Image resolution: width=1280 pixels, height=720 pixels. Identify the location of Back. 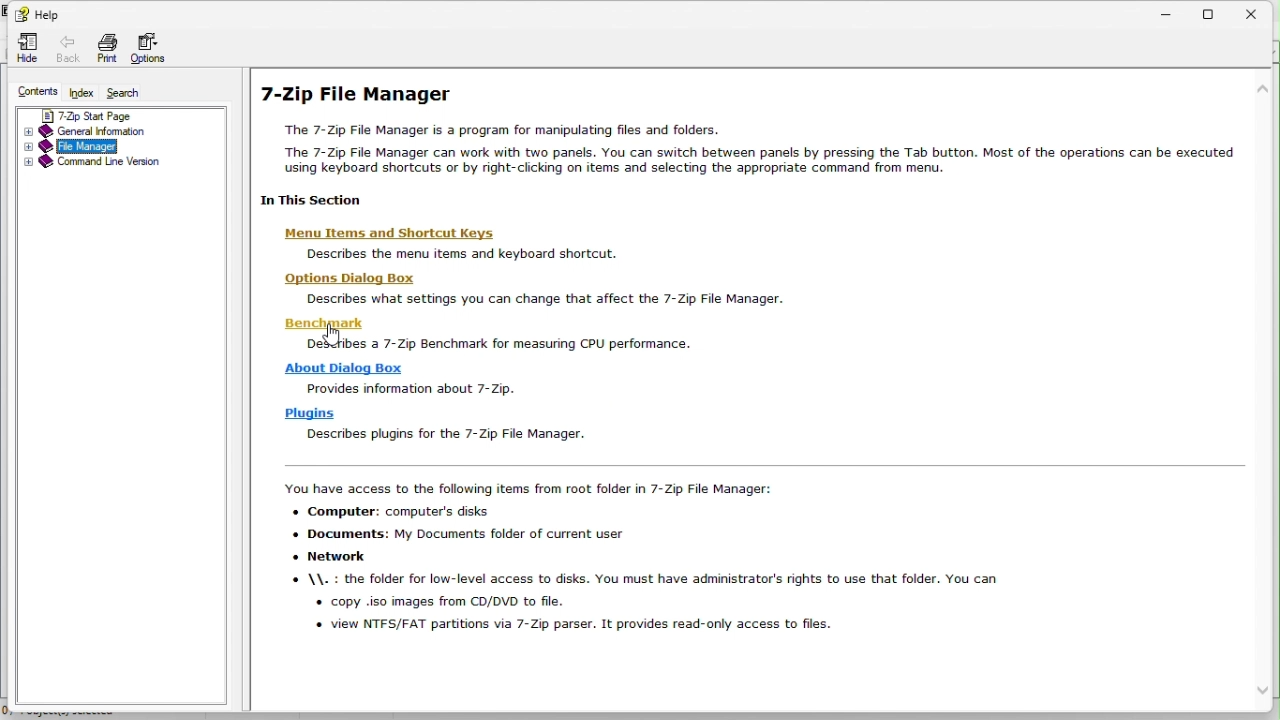
(67, 46).